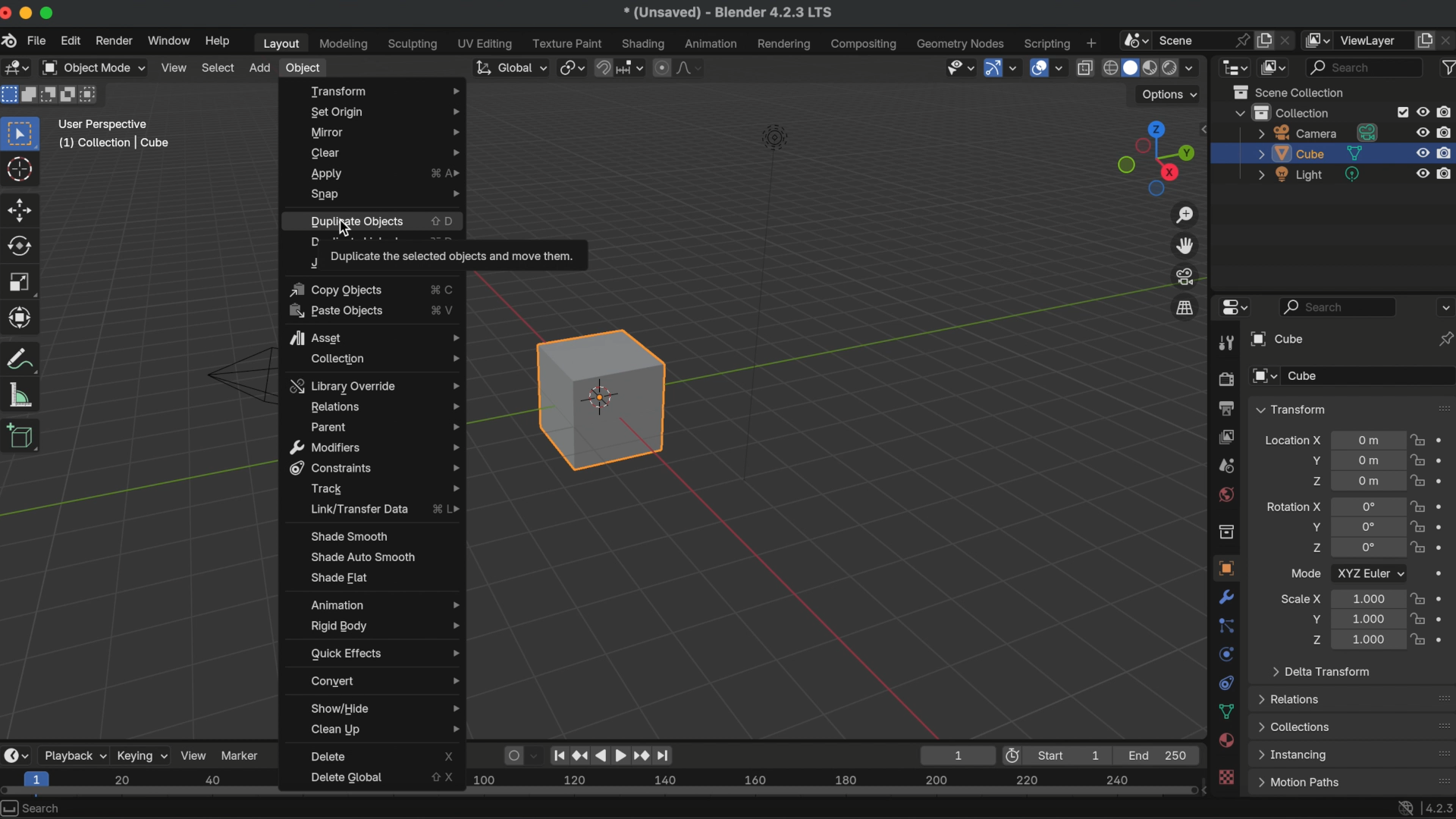 Image resolution: width=1456 pixels, height=819 pixels. What do you see at coordinates (383, 603) in the screenshot?
I see `animation menu` at bounding box center [383, 603].